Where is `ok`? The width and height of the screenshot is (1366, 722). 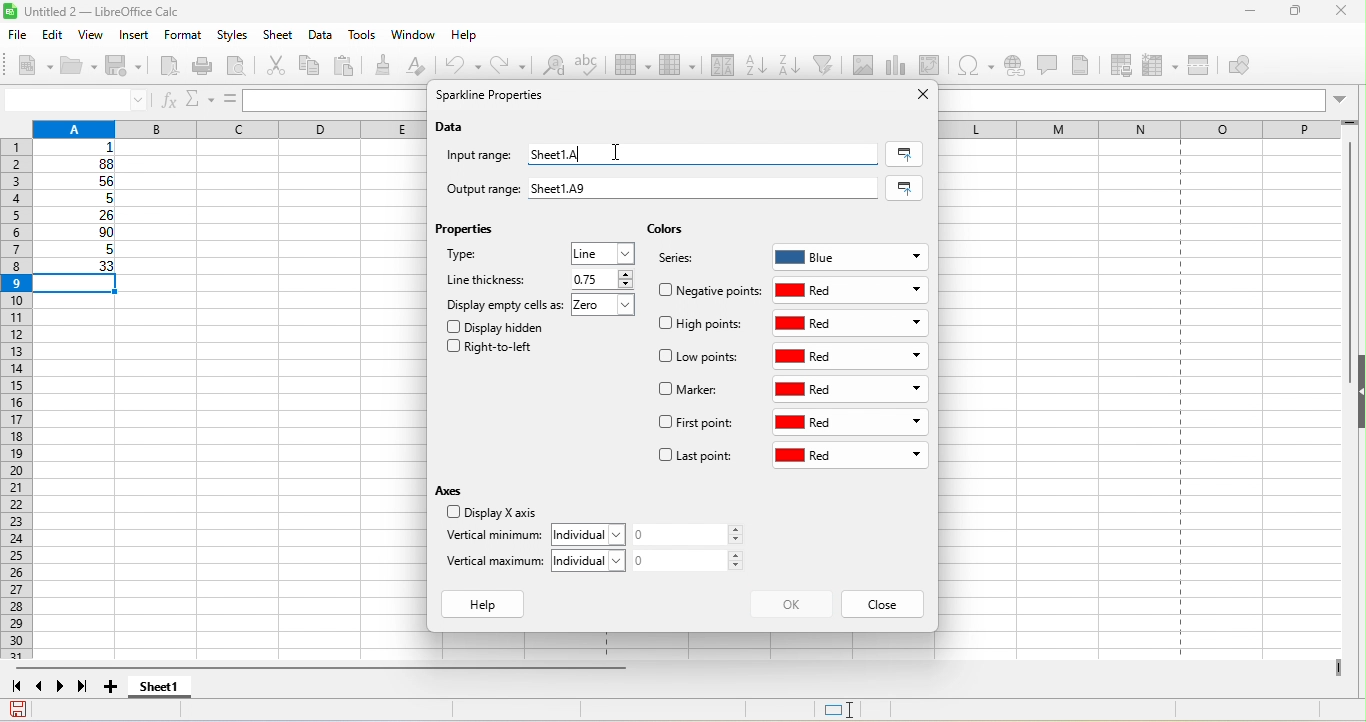 ok is located at coordinates (790, 604).